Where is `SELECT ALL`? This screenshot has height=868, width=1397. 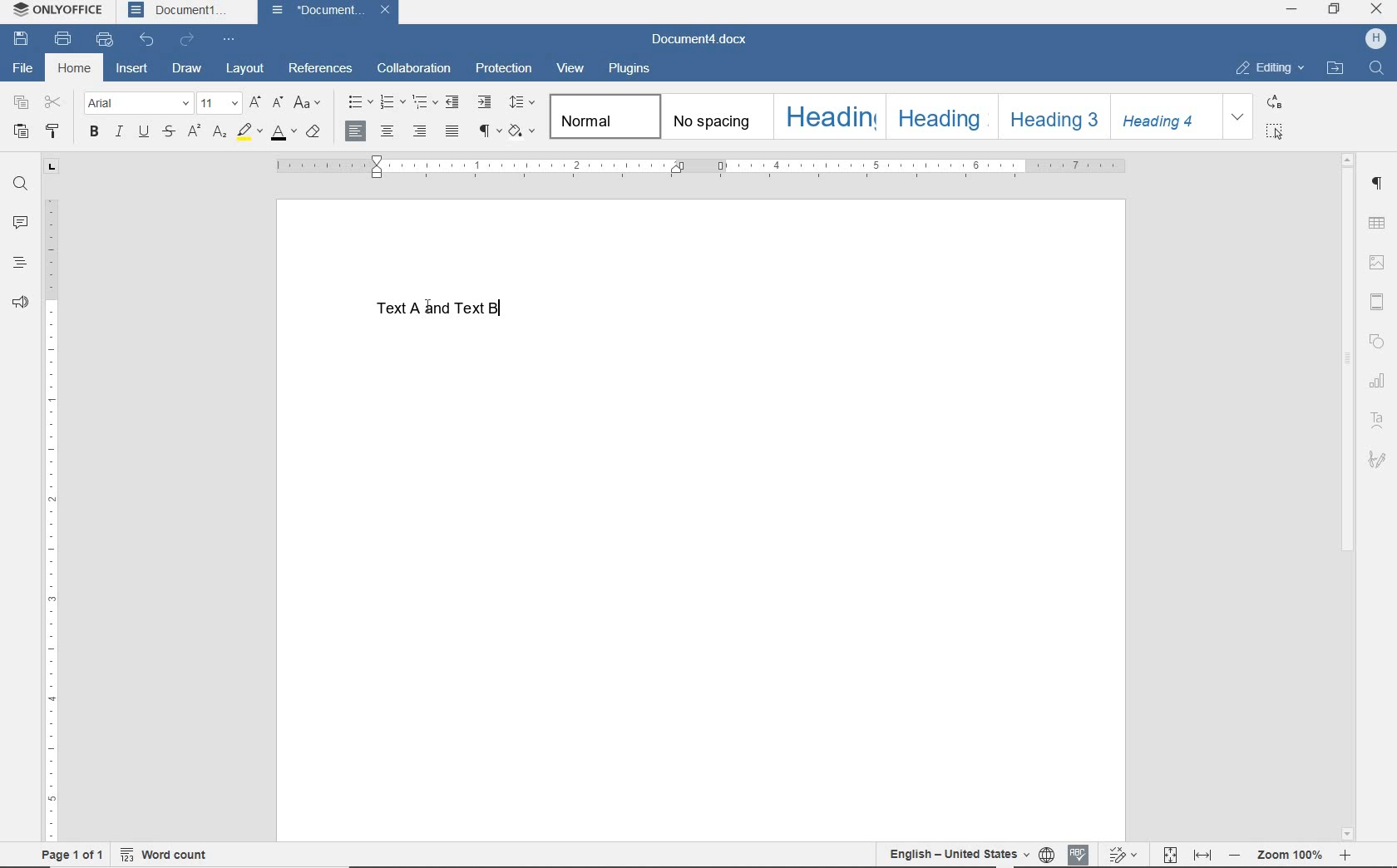 SELECT ALL is located at coordinates (1275, 131).